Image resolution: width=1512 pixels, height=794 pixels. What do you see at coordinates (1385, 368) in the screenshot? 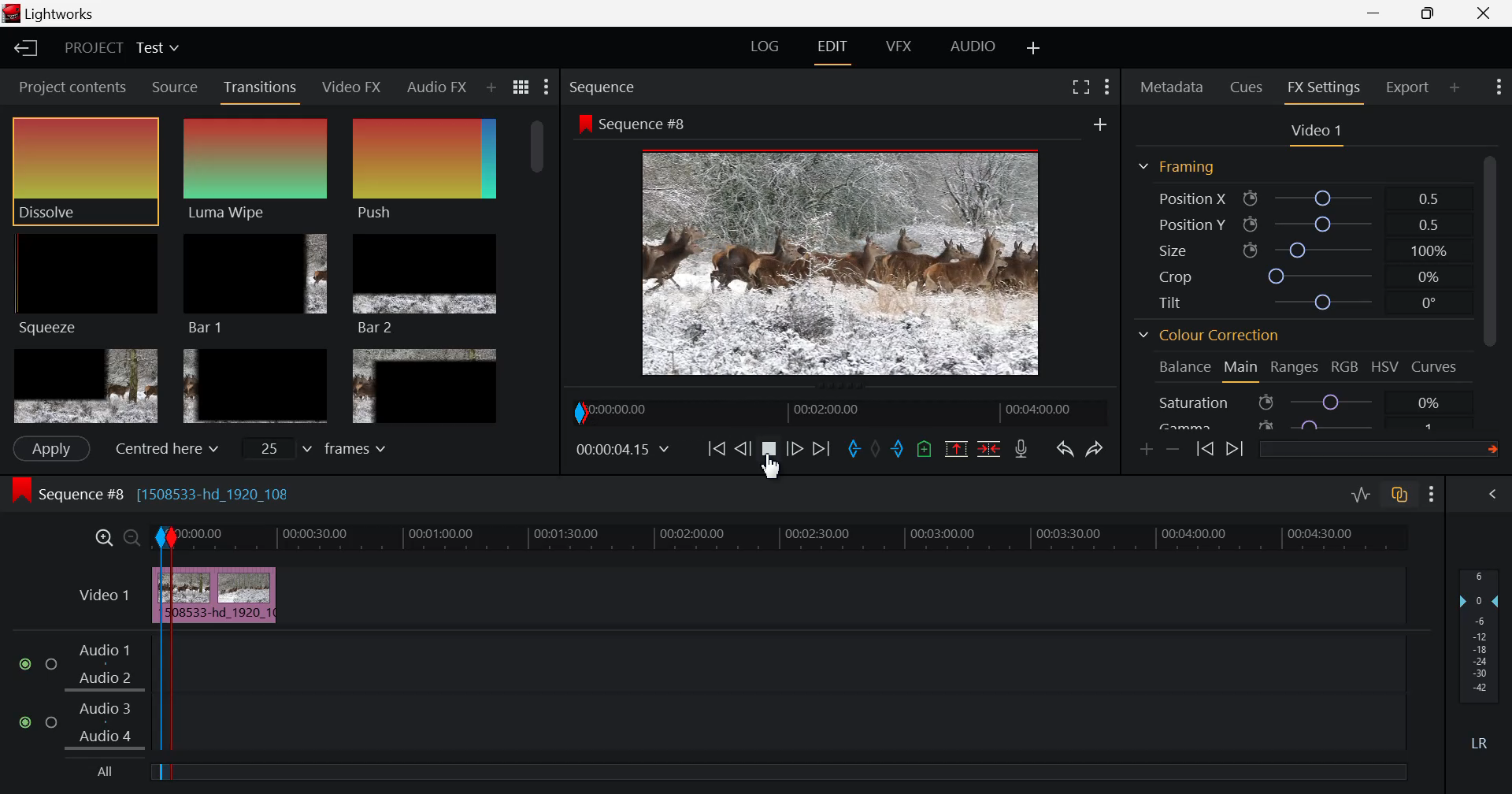
I see `HSV` at bounding box center [1385, 368].